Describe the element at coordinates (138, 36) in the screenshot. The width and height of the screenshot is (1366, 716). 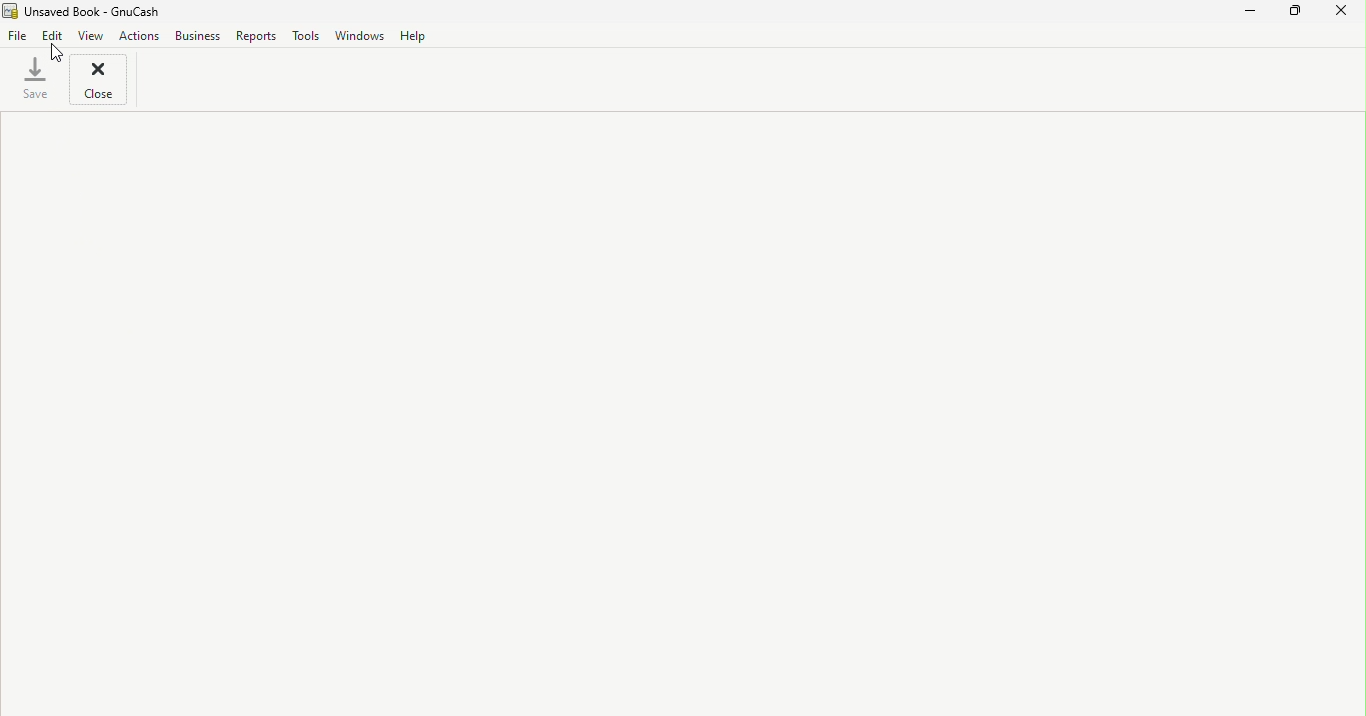
I see `Actions` at that location.